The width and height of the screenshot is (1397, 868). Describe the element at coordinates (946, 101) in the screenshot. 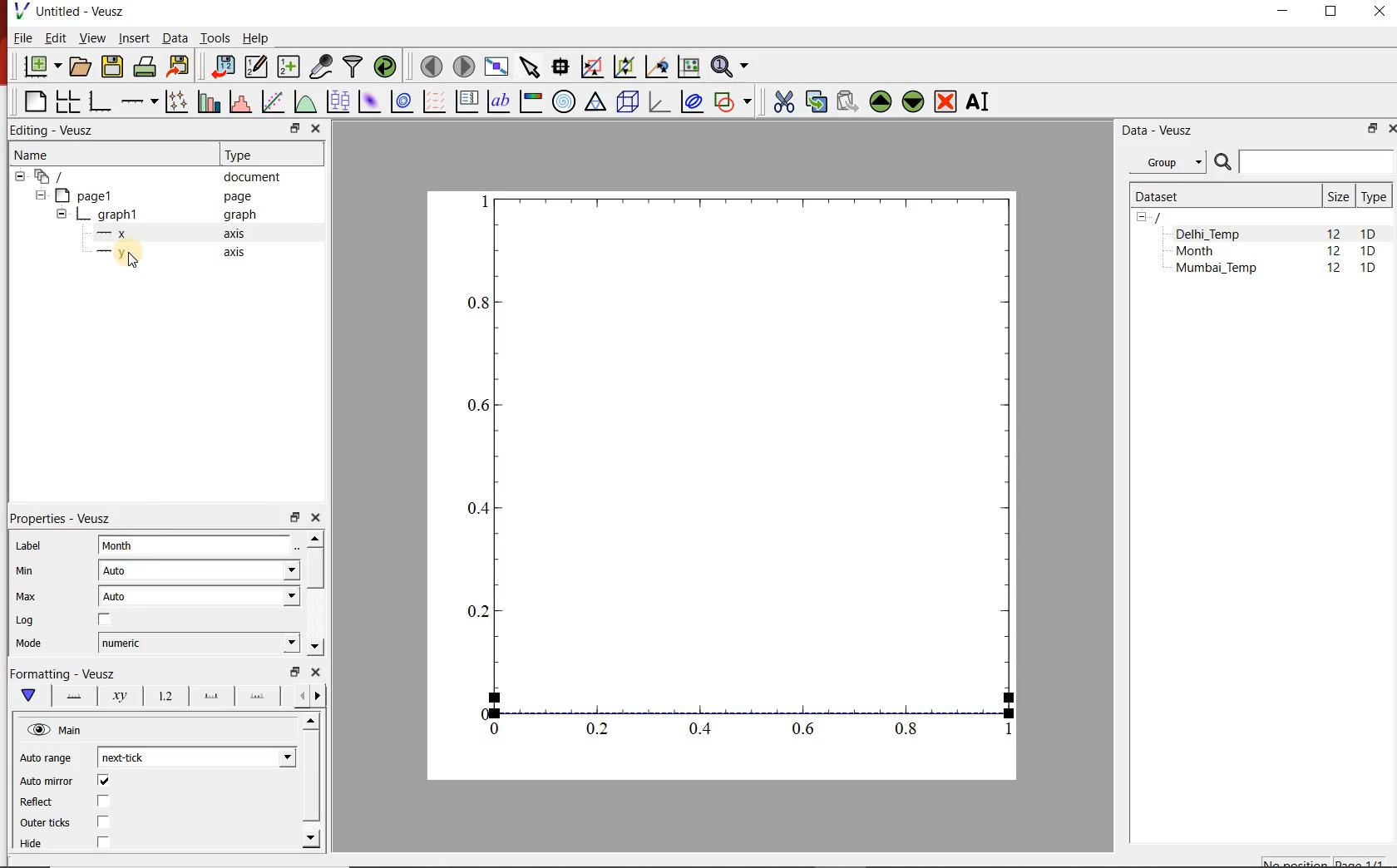

I see `remove the selected widgets` at that location.